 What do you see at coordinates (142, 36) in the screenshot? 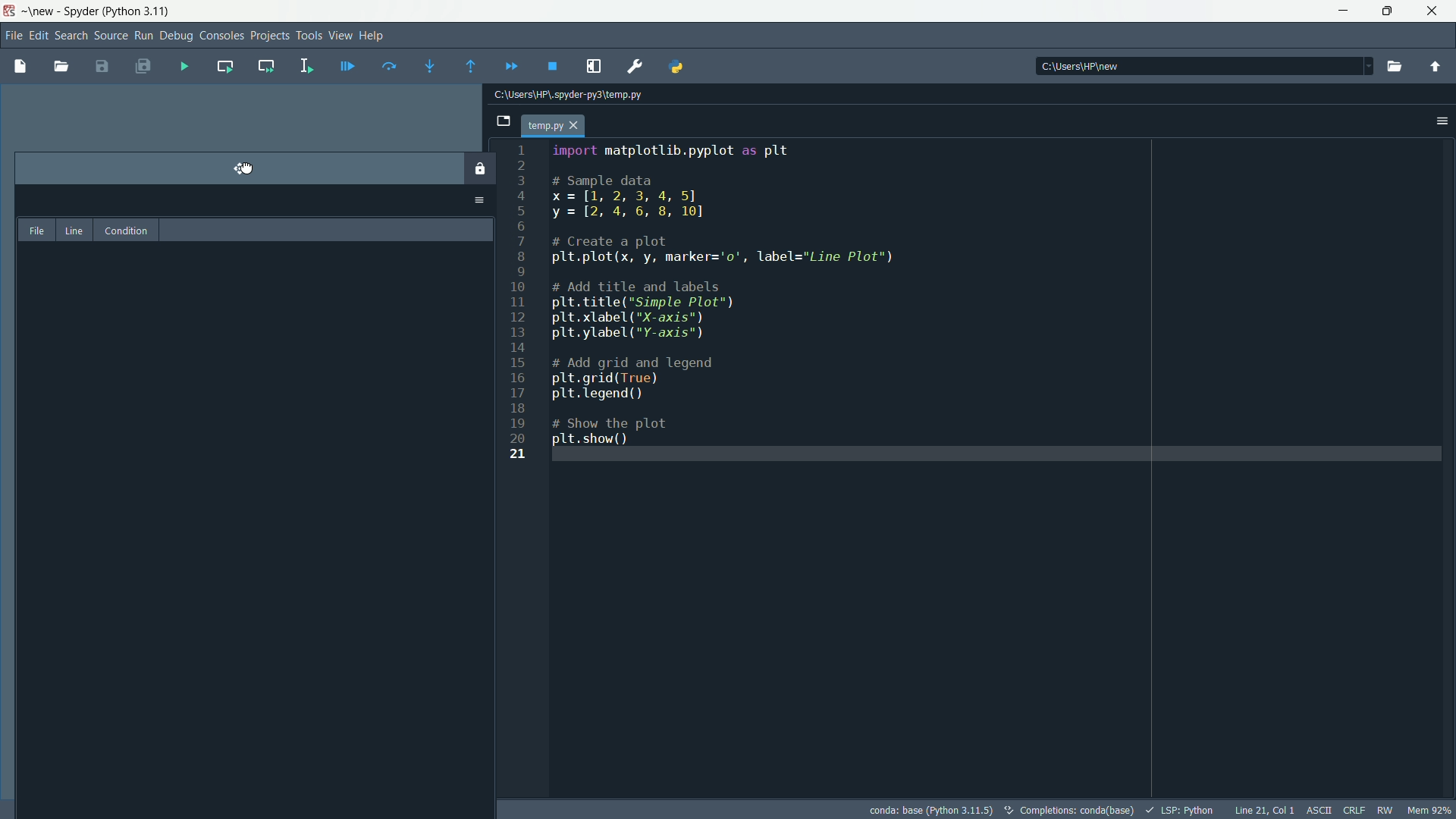
I see `run menu` at bounding box center [142, 36].